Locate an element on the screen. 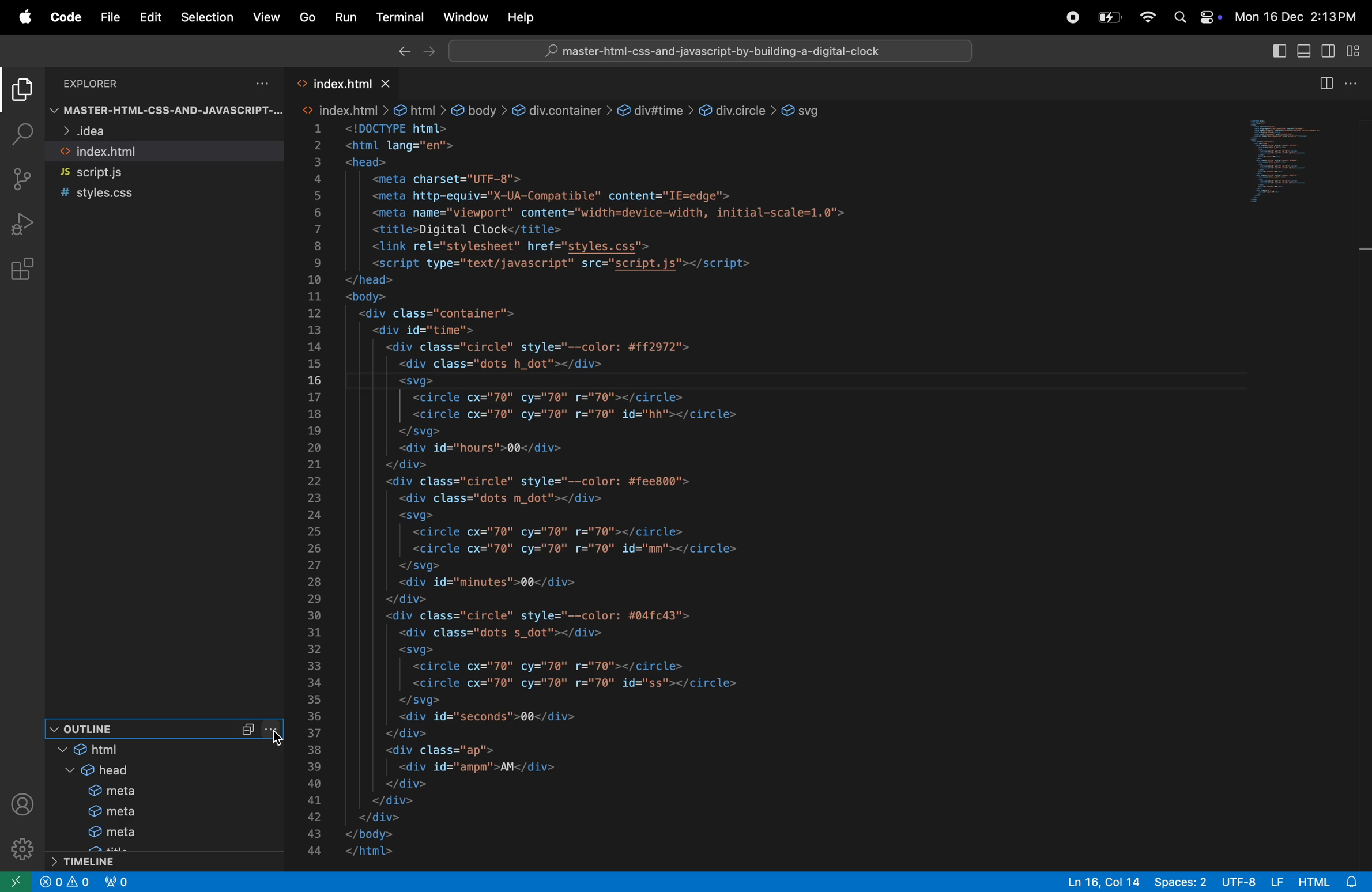 The width and height of the screenshot is (1372, 892). help is located at coordinates (523, 17).